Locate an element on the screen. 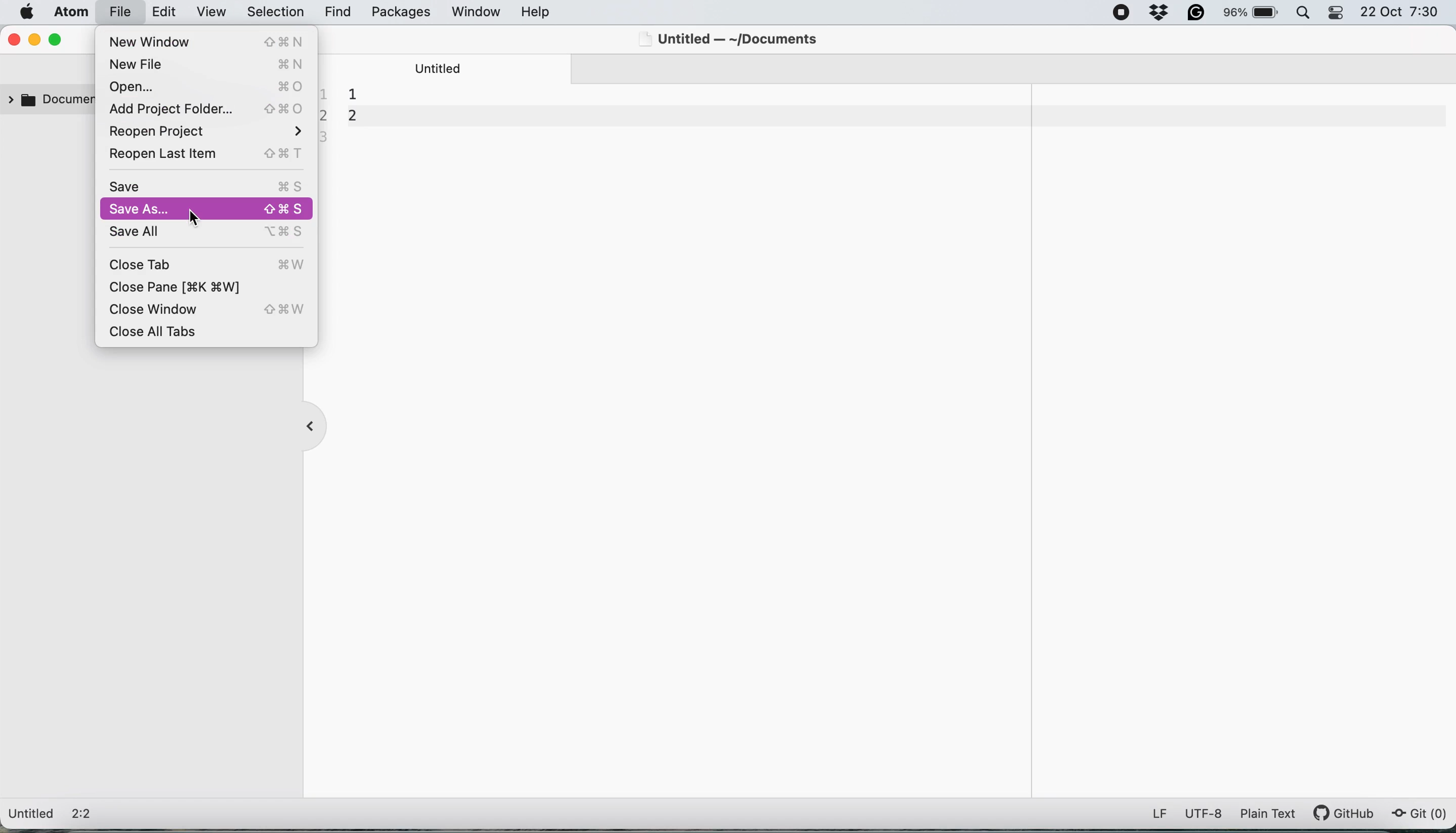  Save is located at coordinates (205, 185).